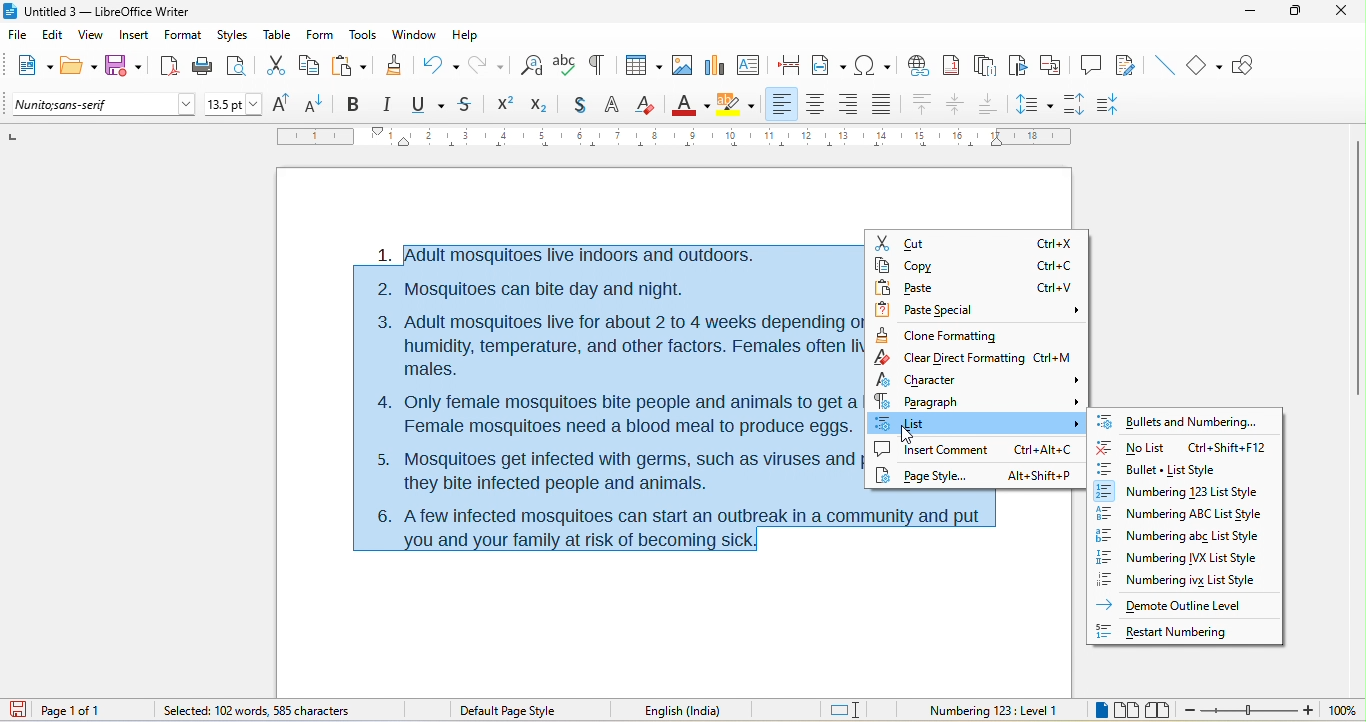 This screenshot has height=722, width=1366. I want to click on select option, so click(979, 423).